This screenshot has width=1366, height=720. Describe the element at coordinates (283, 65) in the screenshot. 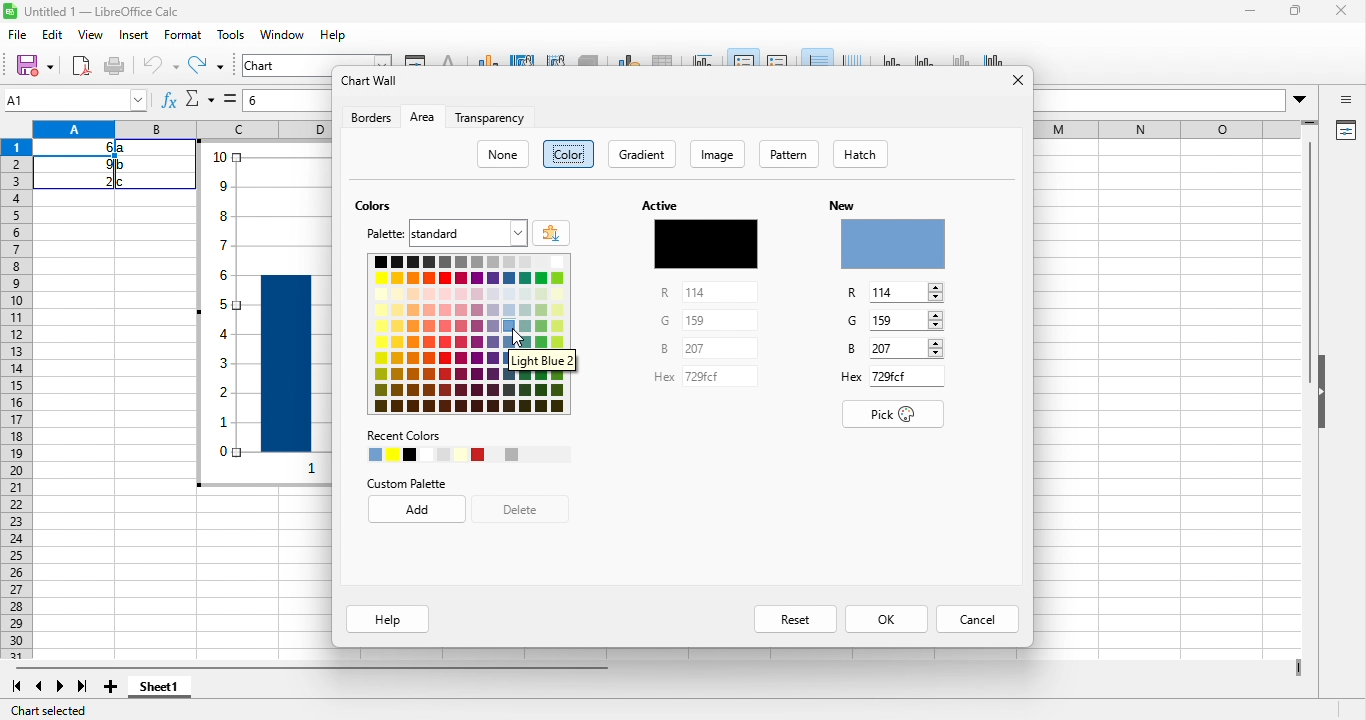

I see `chart ` at that location.